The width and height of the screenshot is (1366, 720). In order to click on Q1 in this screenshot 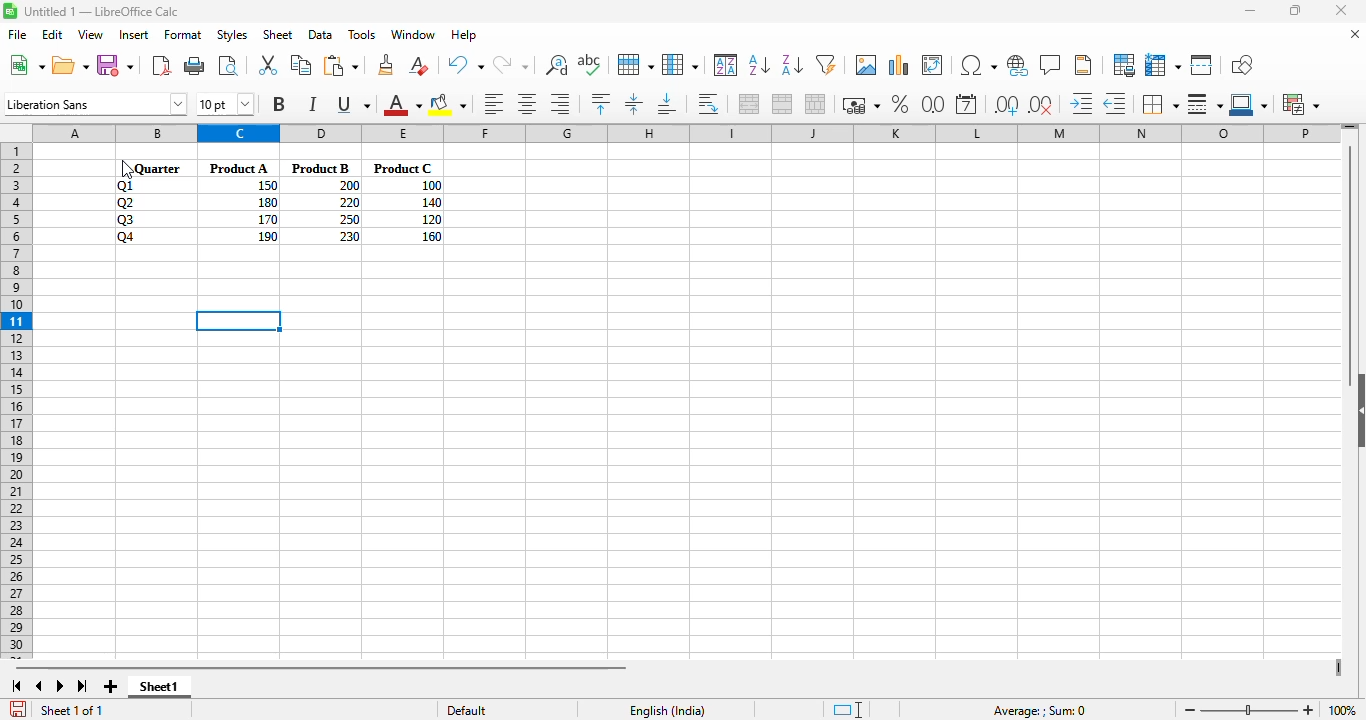, I will do `click(127, 186)`.